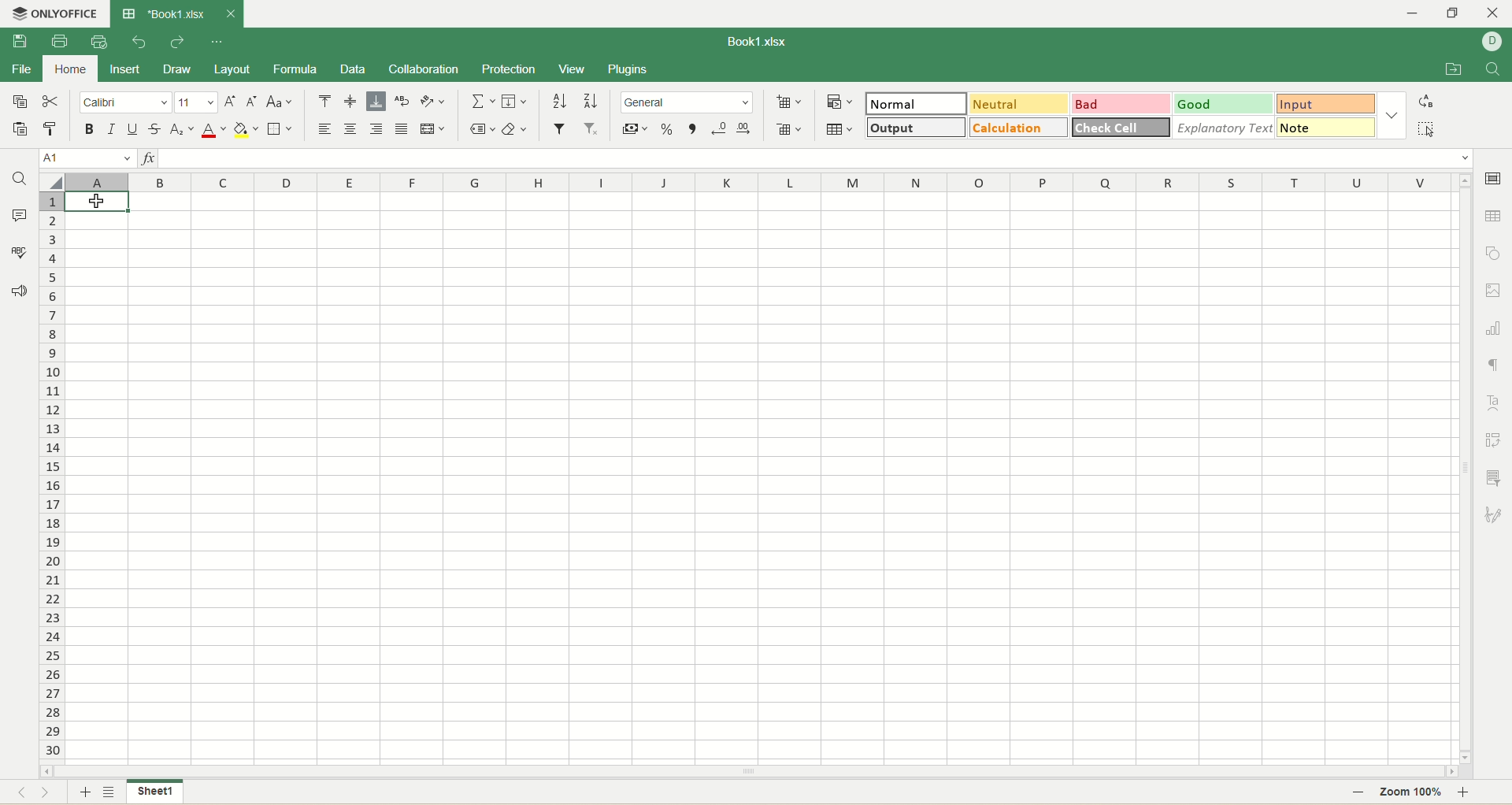  What do you see at coordinates (1457, 12) in the screenshot?
I see `maximize` at bounding box center [1457, 12].